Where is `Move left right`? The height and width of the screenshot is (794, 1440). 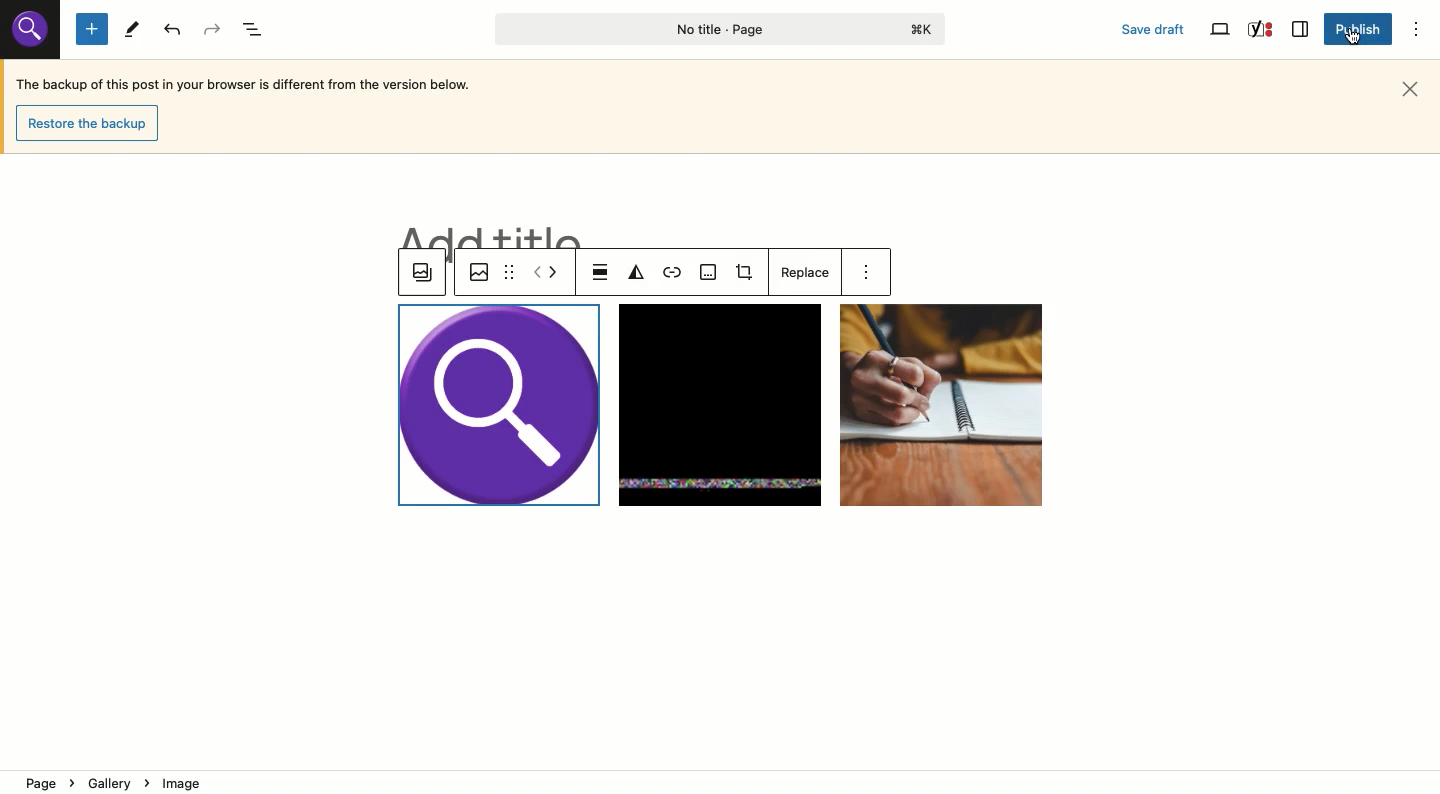
Move left right is located at coordinates (546, 273).